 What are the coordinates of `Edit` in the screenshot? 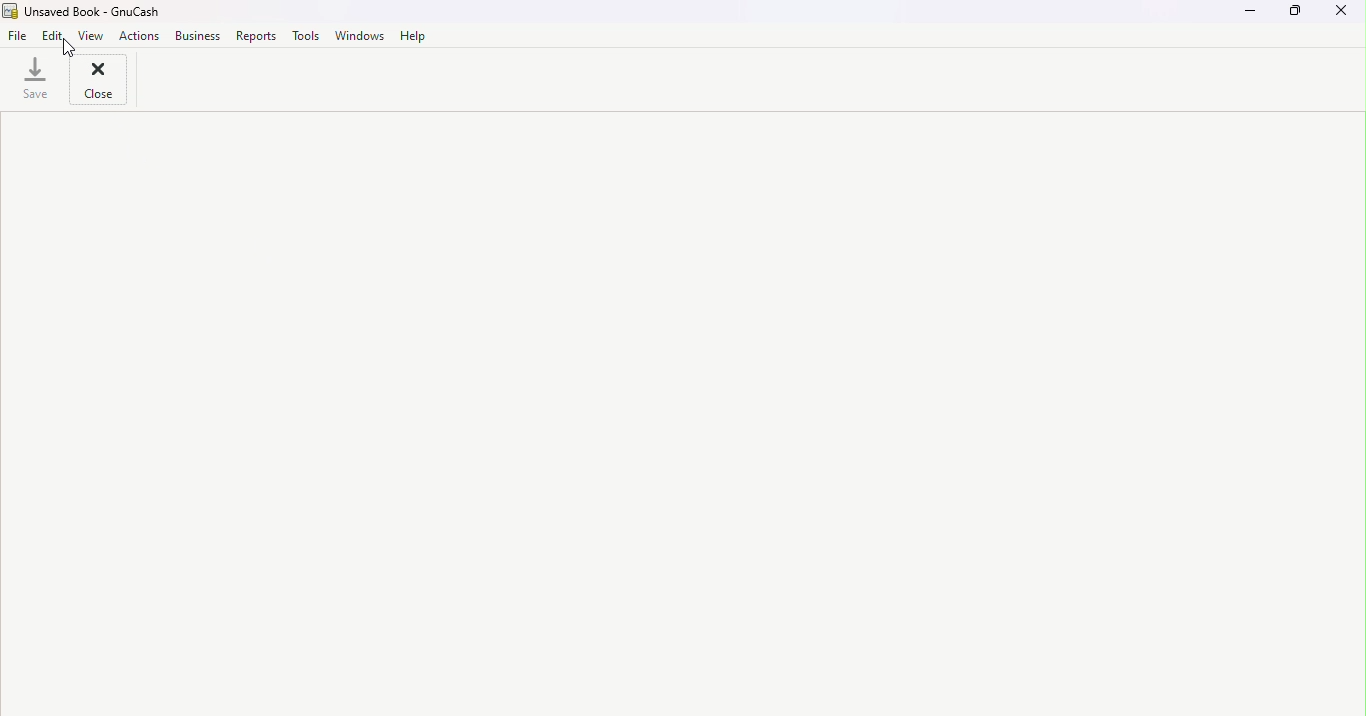 It's located at (56, 36).